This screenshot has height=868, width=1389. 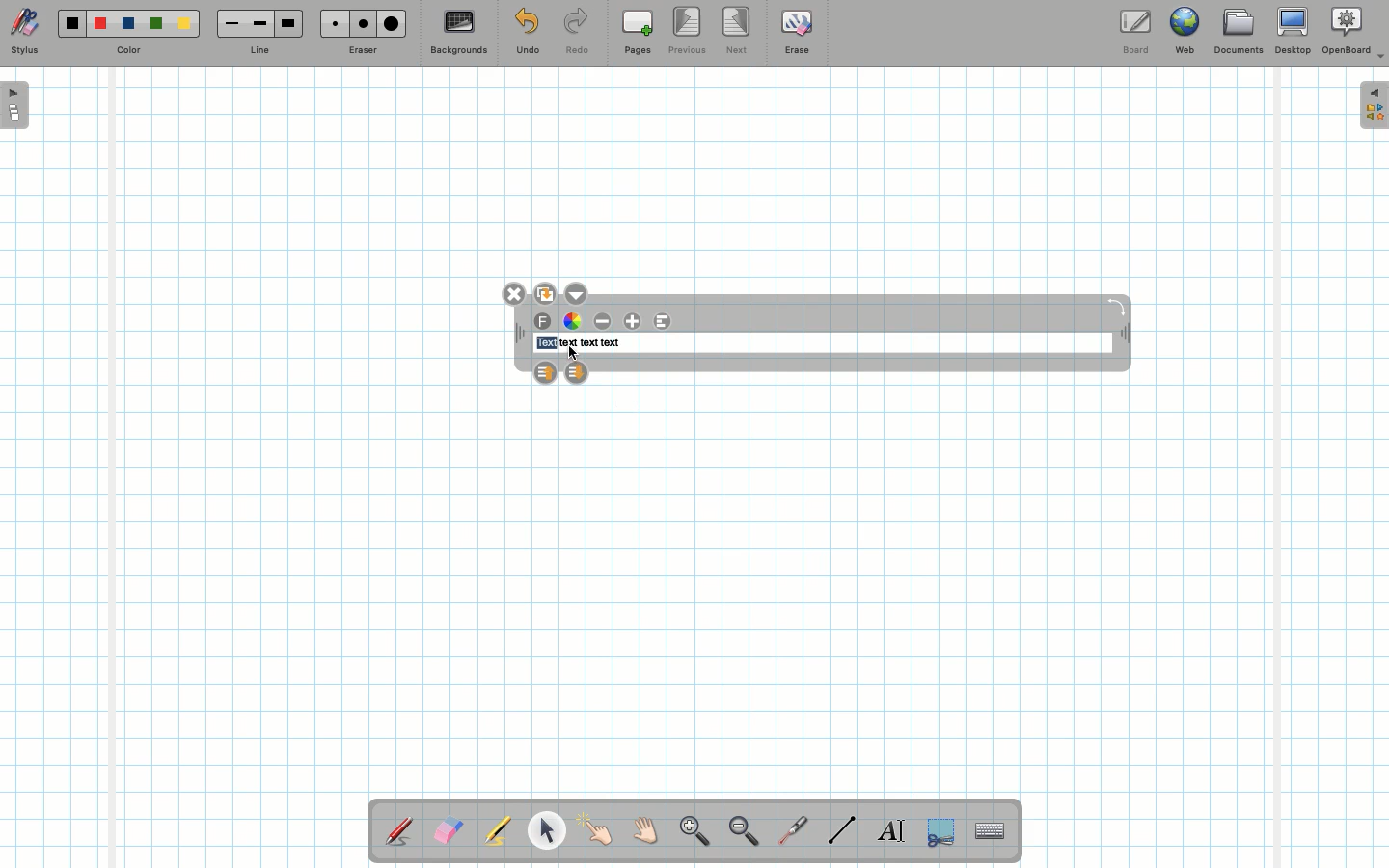 What do you see at coordinates (24, 32) in the screenshot?
I see `Stylus` at bounding box center [24, 32].